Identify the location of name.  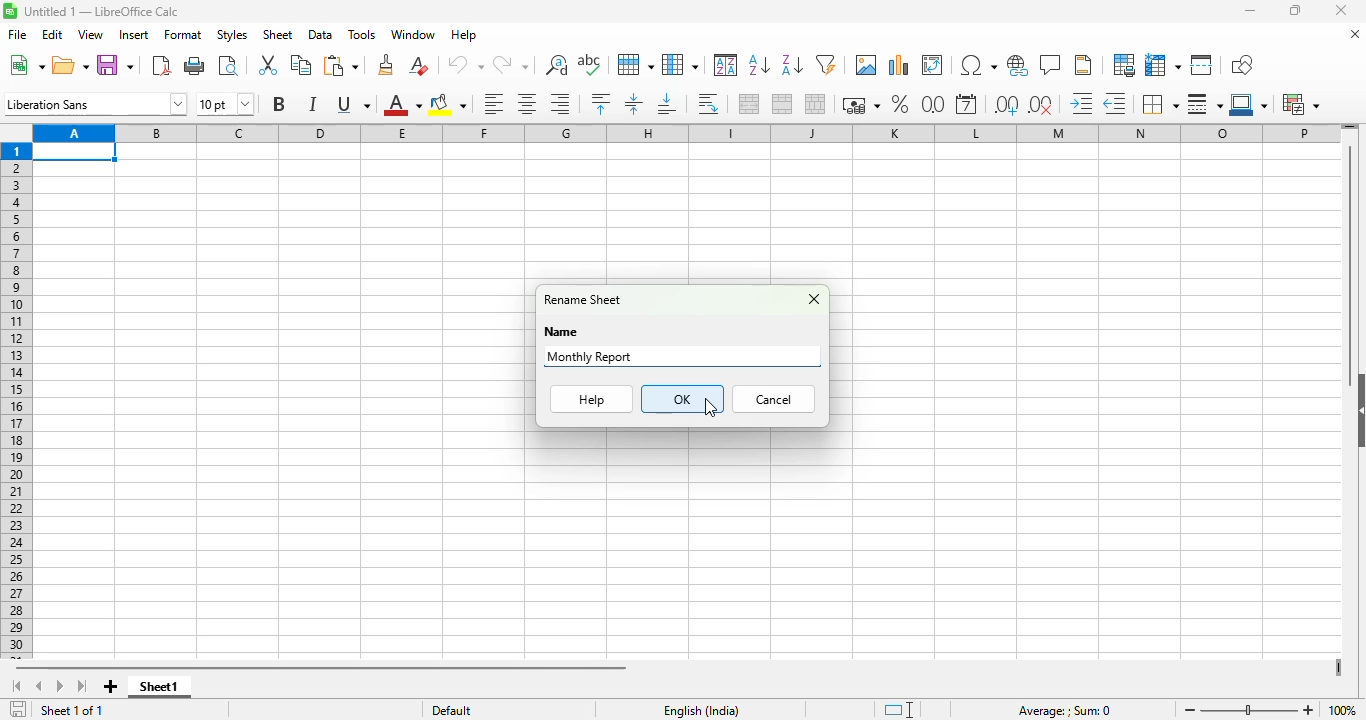
(561, 332).